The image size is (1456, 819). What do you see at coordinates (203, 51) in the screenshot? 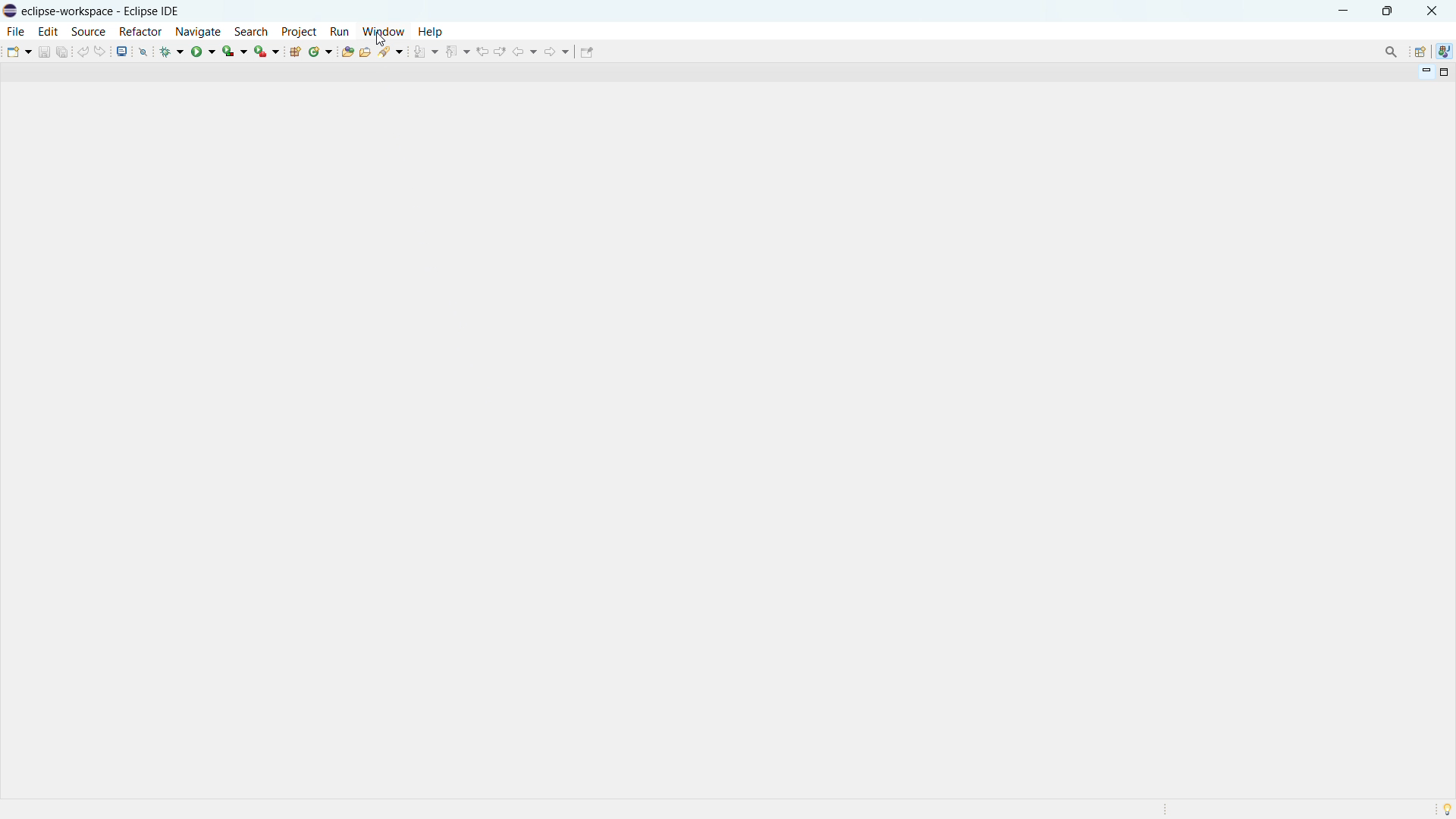
I see `run` at bounding box center [203, 51].